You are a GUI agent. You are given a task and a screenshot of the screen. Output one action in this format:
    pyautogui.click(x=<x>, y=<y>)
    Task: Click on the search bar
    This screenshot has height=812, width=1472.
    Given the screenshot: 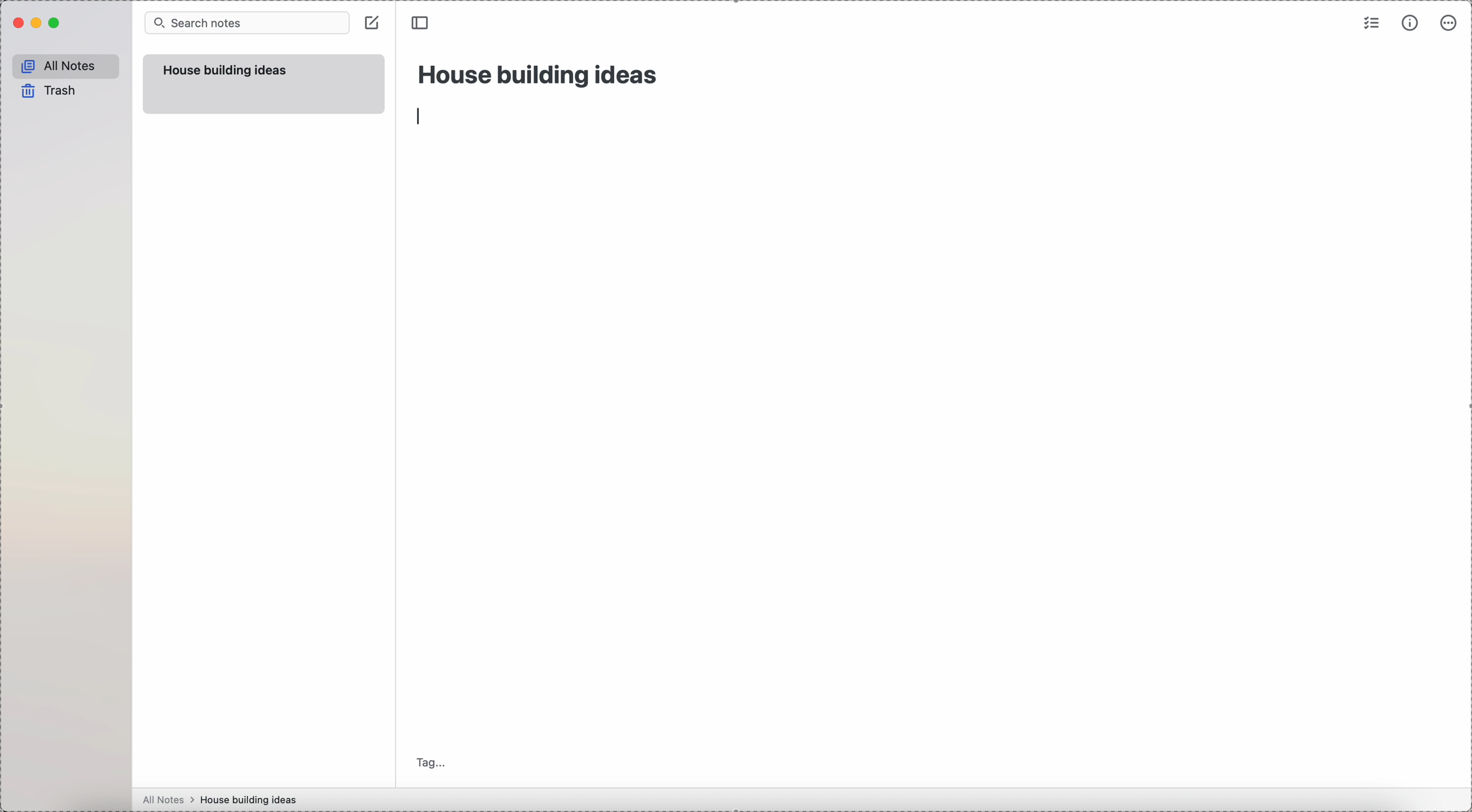 What is the action you would take?
    pyautogui.click(x=246, y=23)
    